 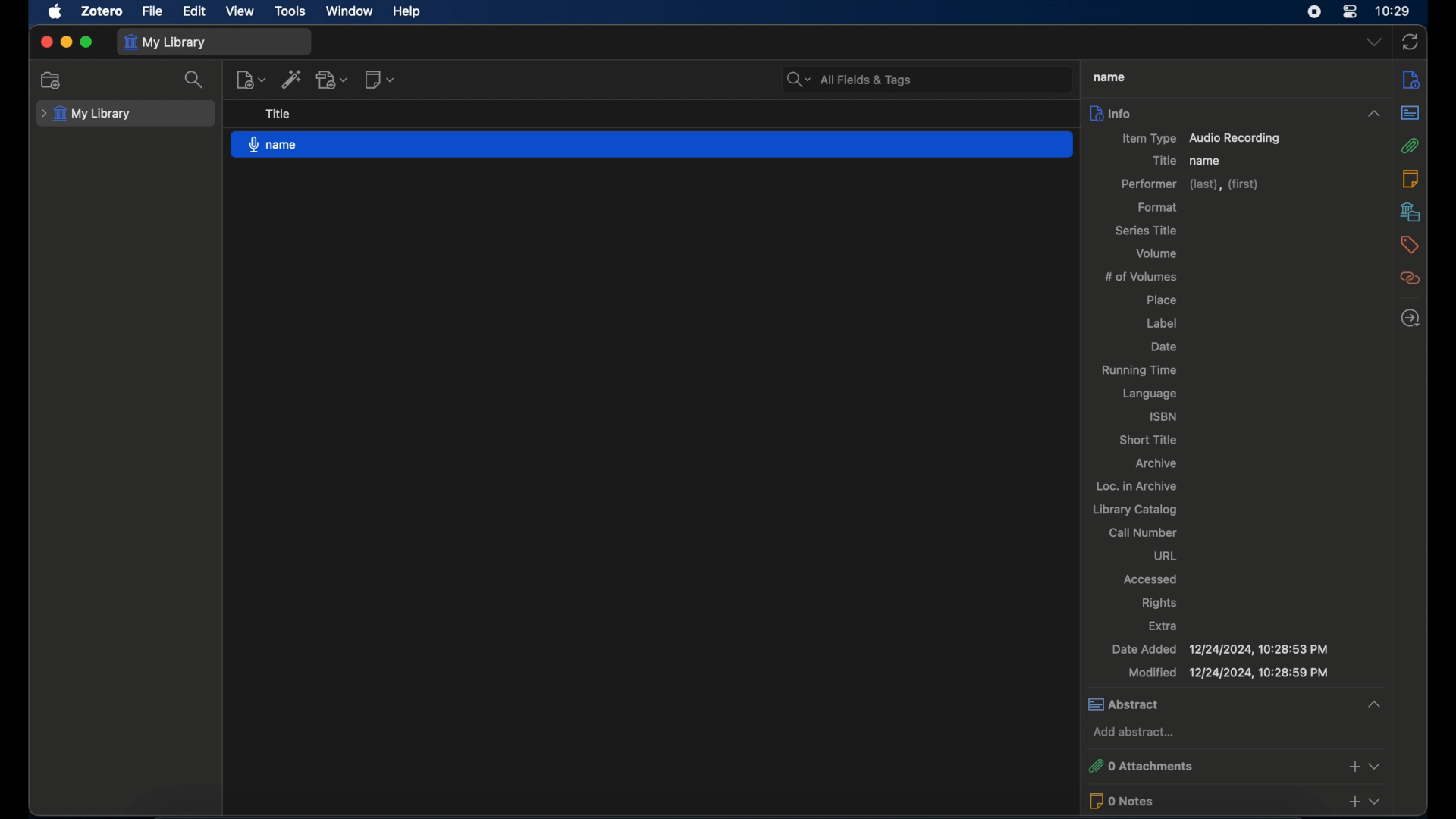 I want to click on rights, so click(x=1159, y=602).